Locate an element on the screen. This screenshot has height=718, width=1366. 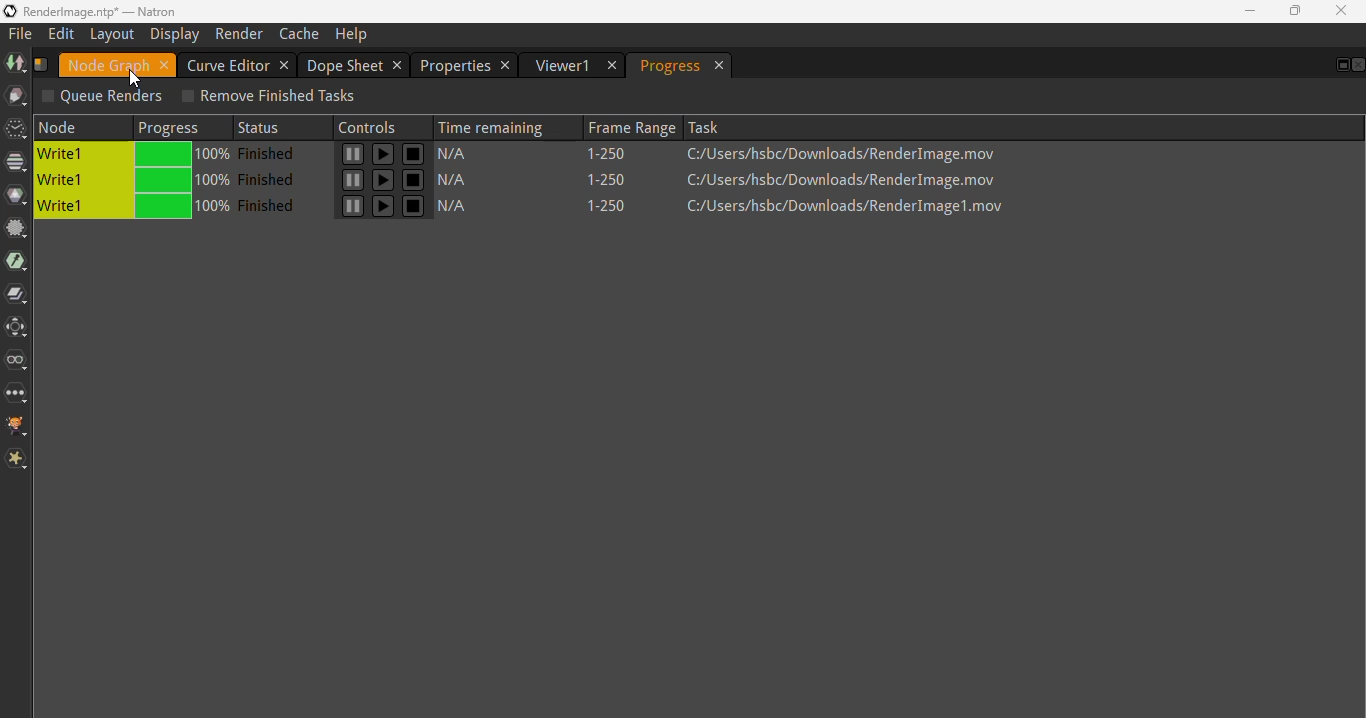
stop is located at coordinates (414, 155).